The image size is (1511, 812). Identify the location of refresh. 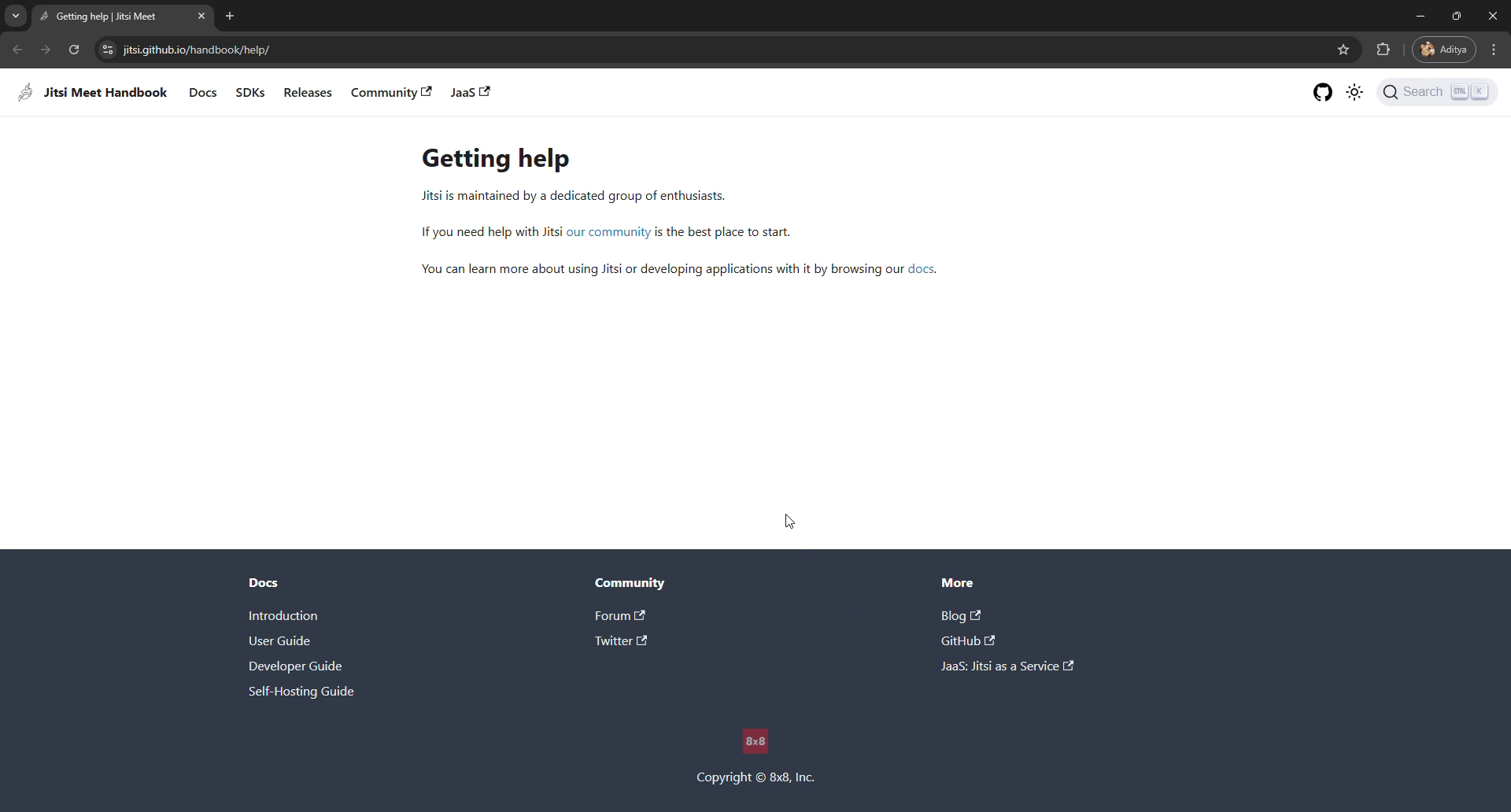
(74, 50).